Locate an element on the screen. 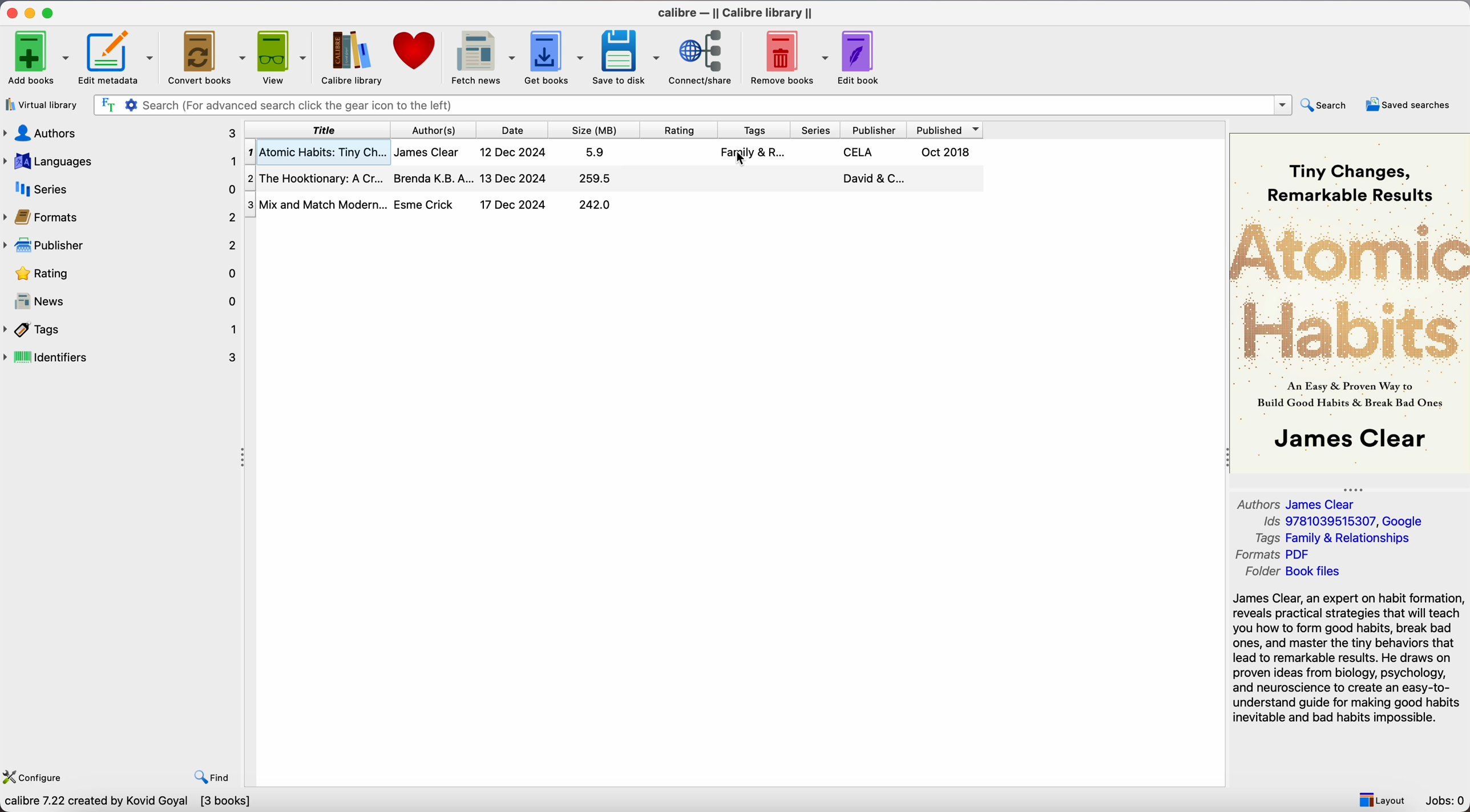 The height and width of the screenshot is (812, 1470). identifiers is located at coordinates (122, 357).